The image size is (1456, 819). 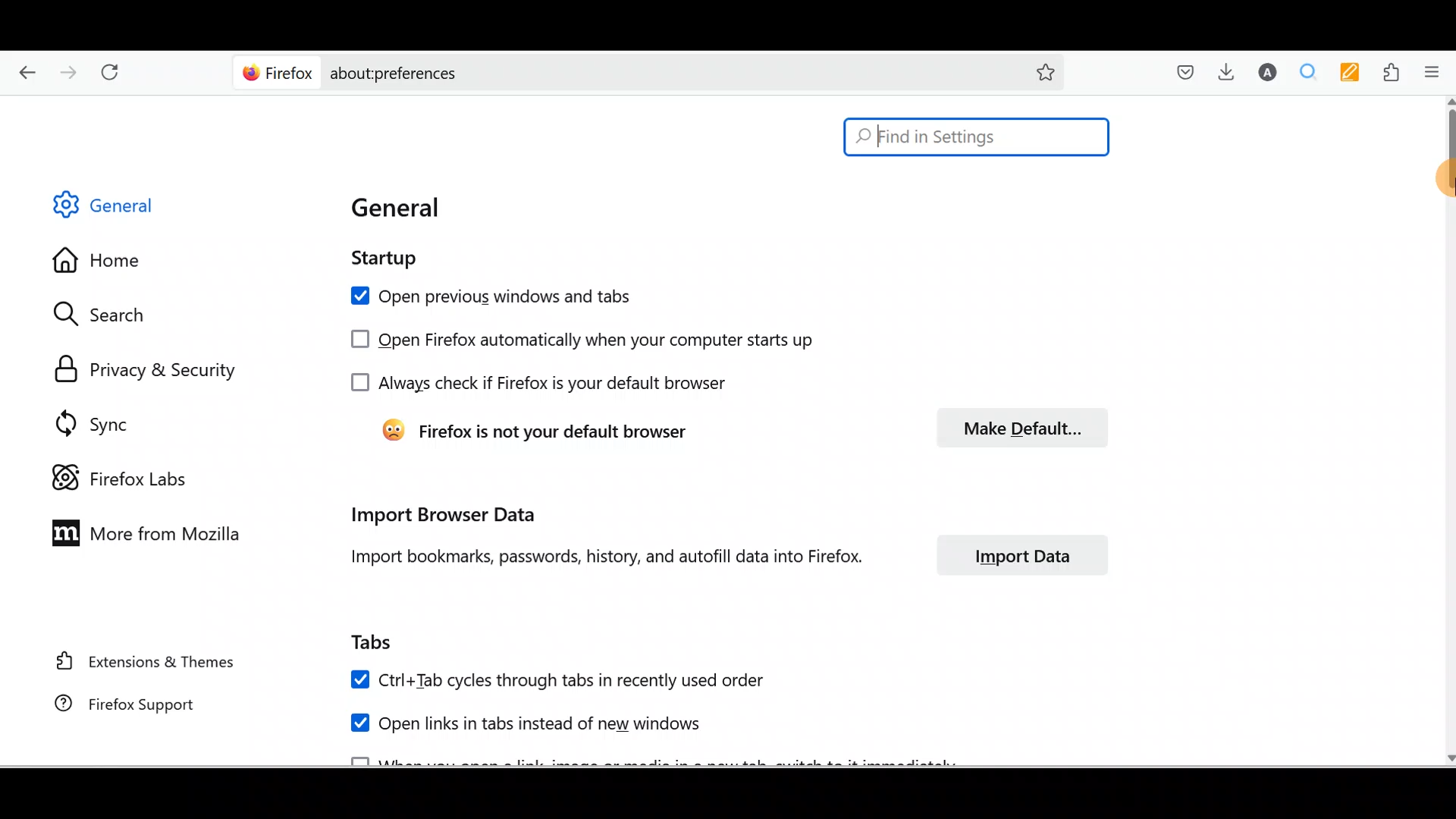 What do you see at coordinates (71, 75) in the screenshot?
I see `Go forward one page` at bounding box center [71, 75].